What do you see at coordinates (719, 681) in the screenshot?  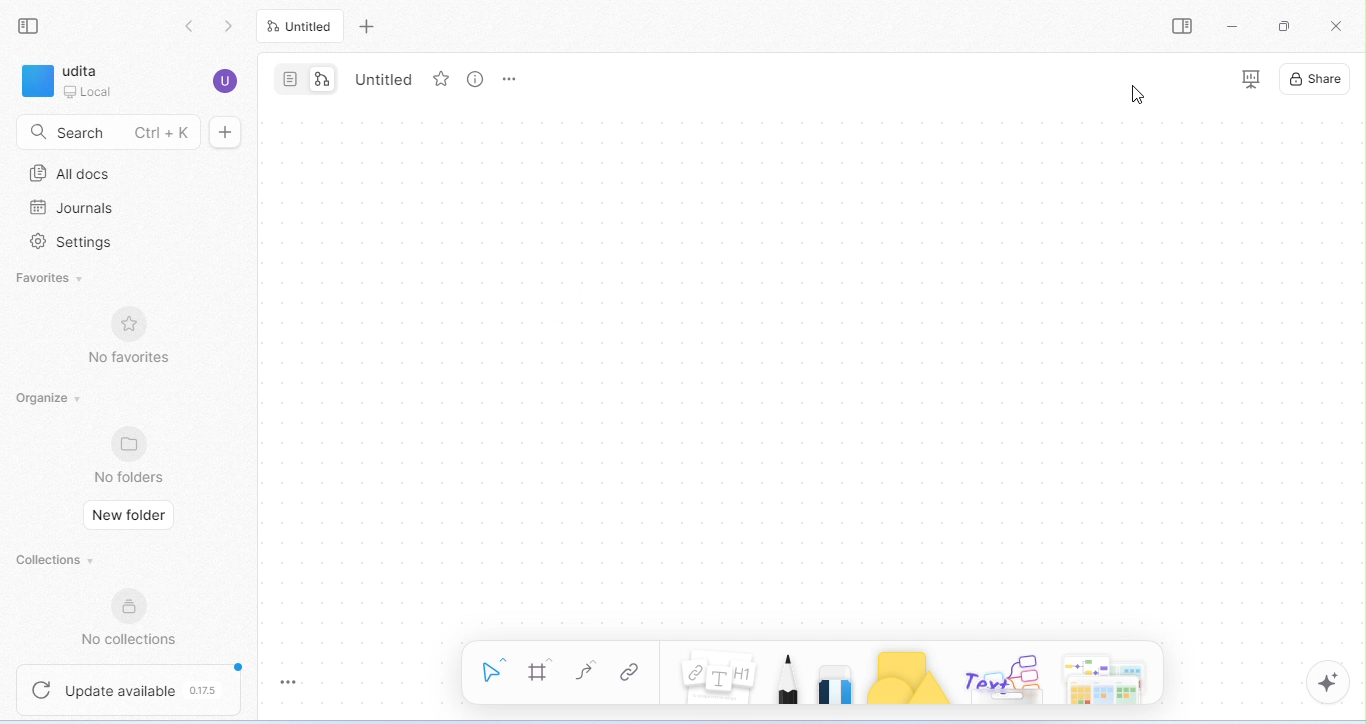 I see `notes` at bounding box center [719, 681].